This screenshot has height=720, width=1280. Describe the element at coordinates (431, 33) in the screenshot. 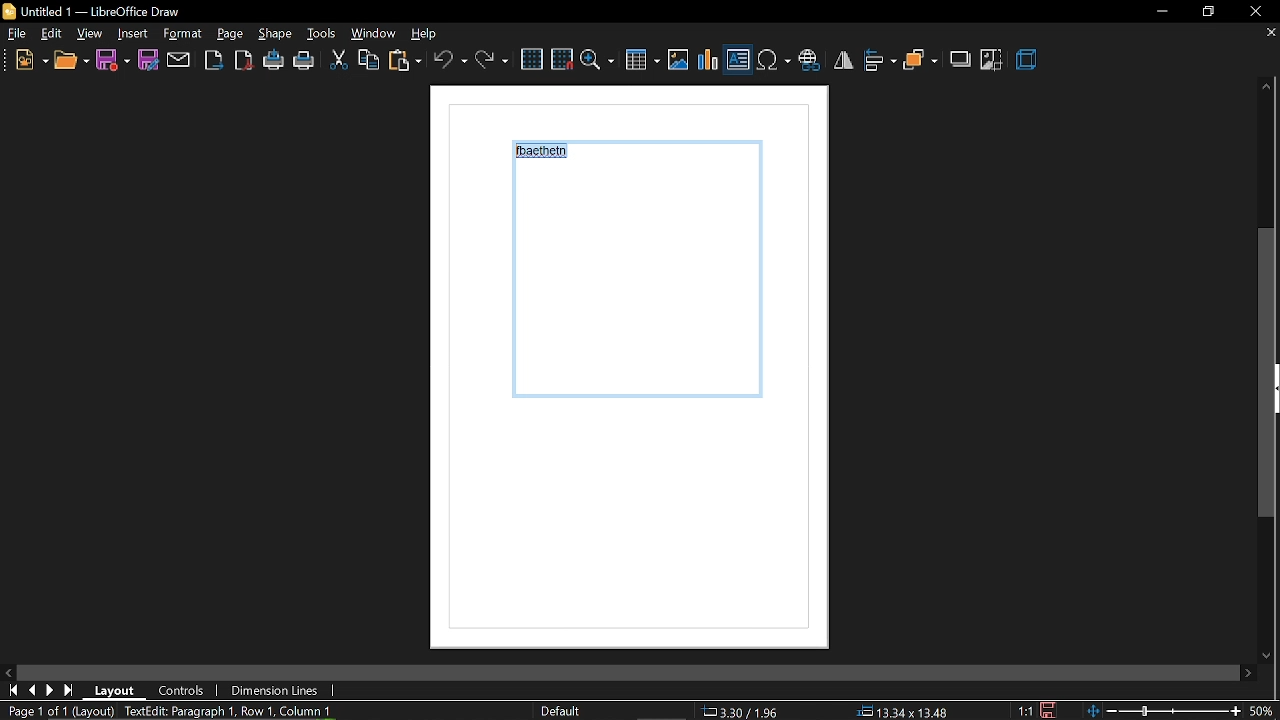

I see `help` at that location.